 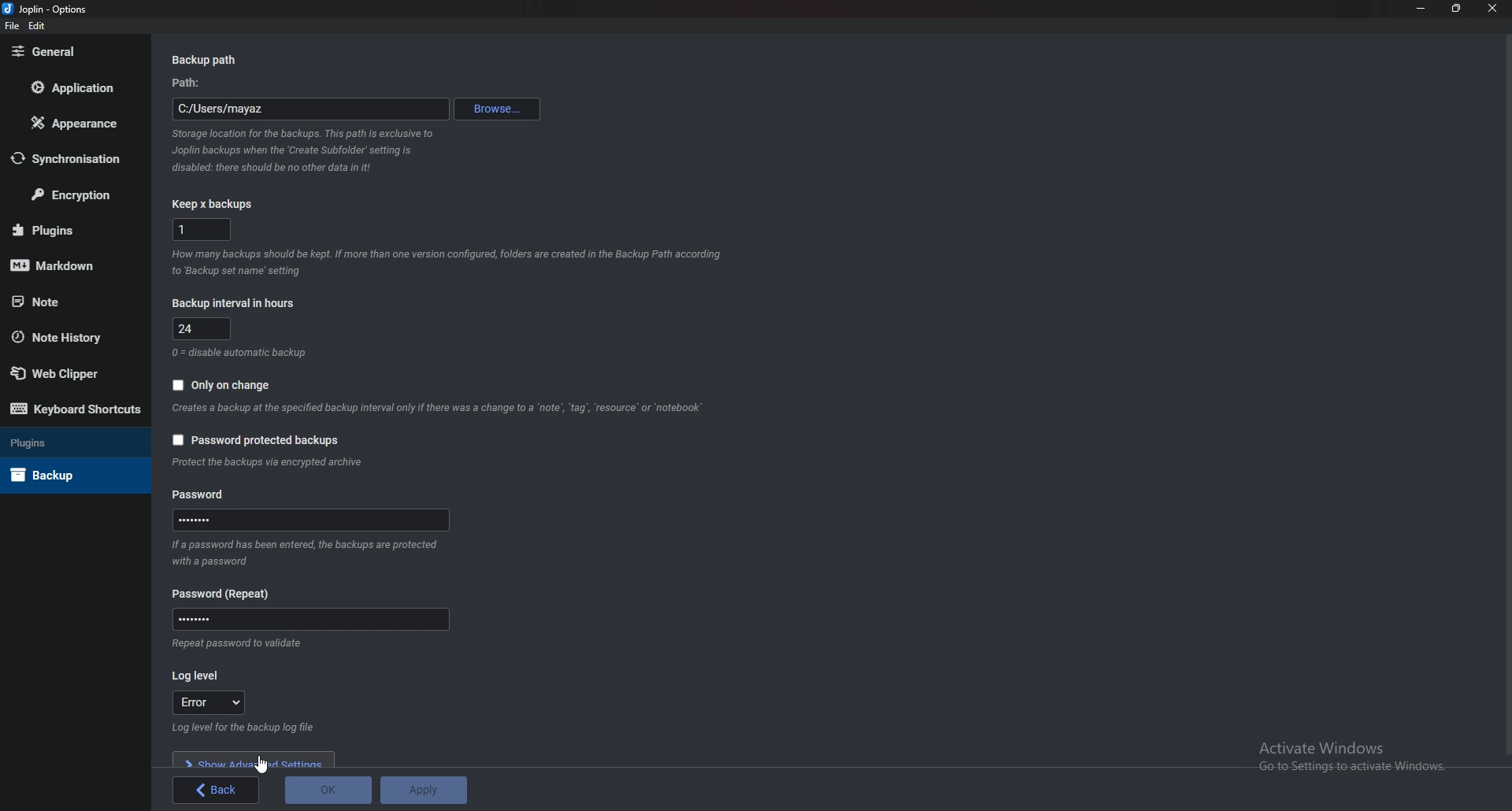 I want to click on Only on change, so click(x=223, y=383).